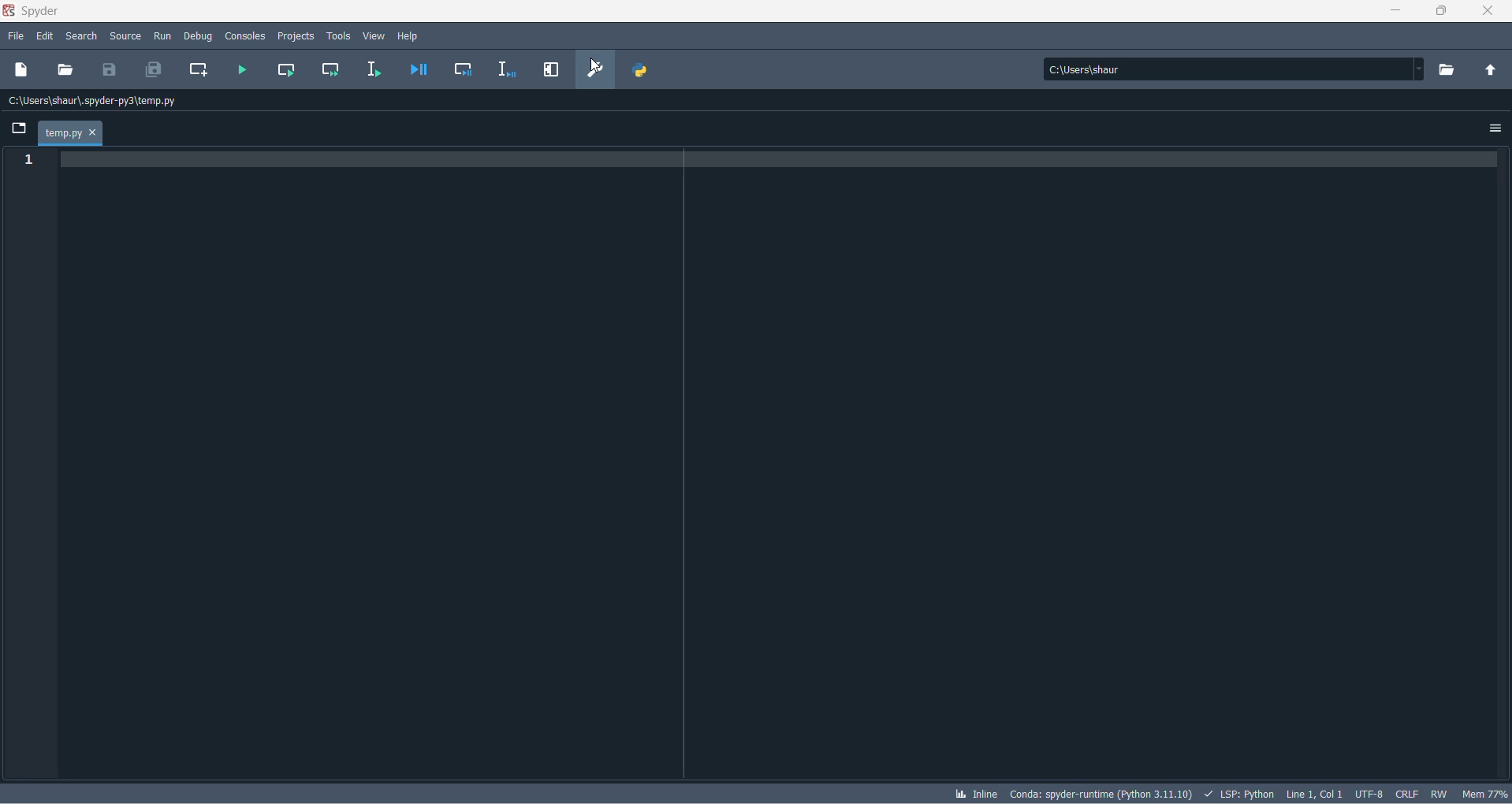 The width and height of the screenshot is (1512, 804). Describe the element at coordinates (1424, 69) in the screenshot. I see `path dropdown` at that location.